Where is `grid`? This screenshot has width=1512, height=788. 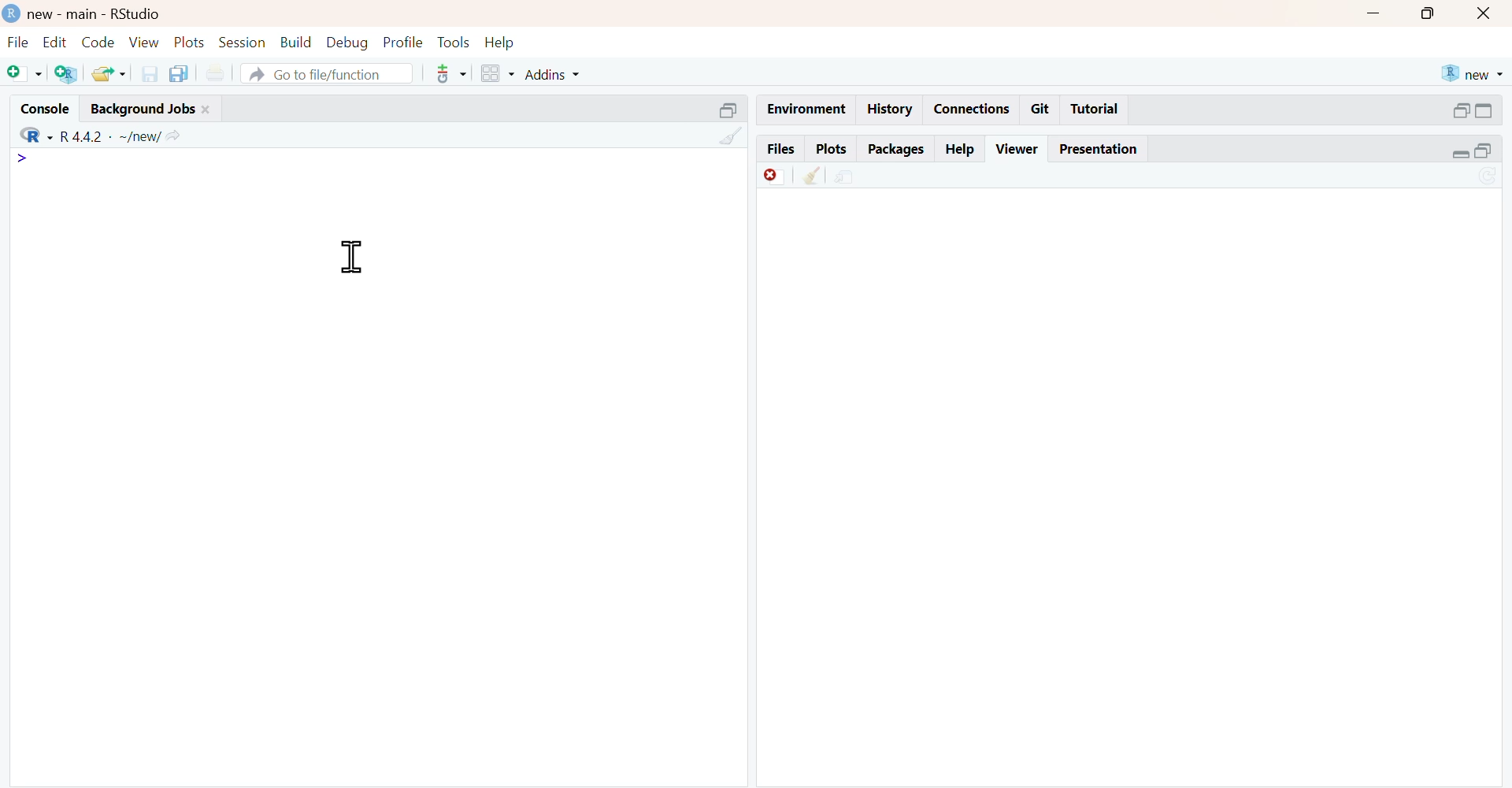
grid is located at coordinates (498, 73).